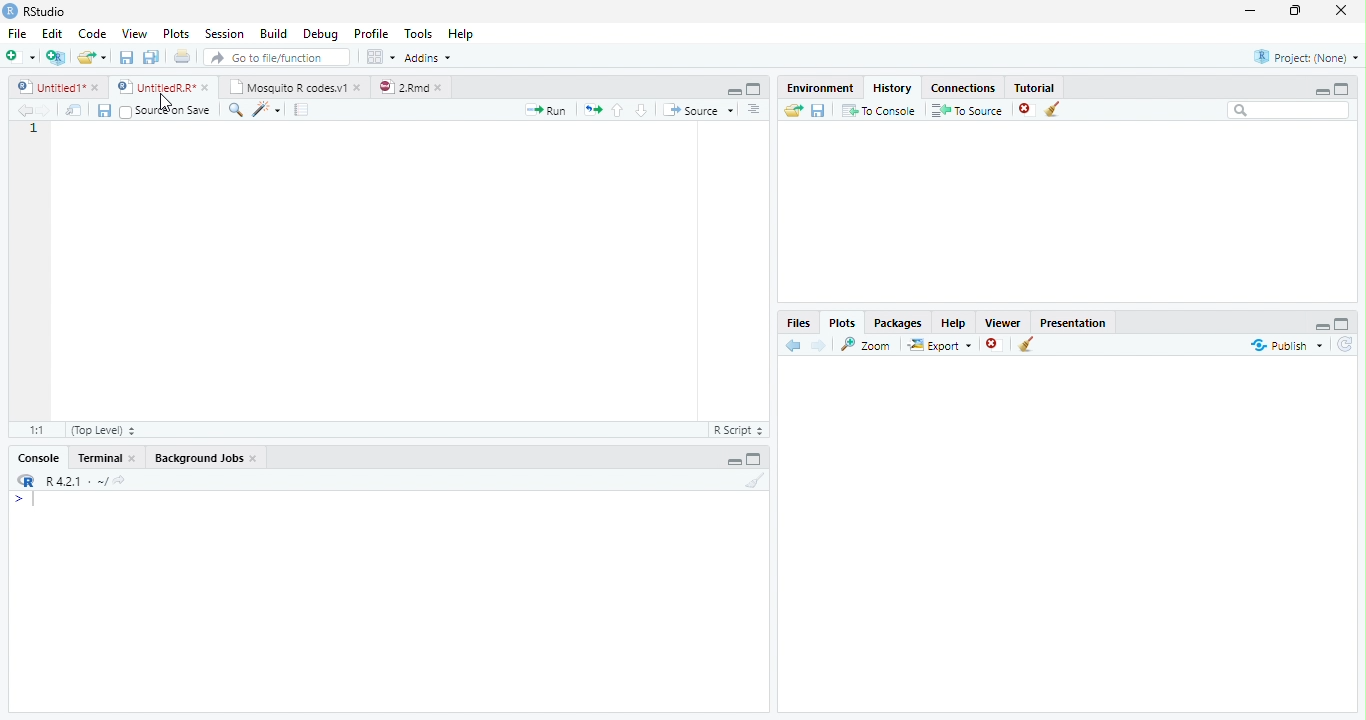 Image resolution: width=1366 pixels, height=720 pixels. Describe the element at coordinates (1296, 11) in the screenshot. I see `Maximize` at that location.